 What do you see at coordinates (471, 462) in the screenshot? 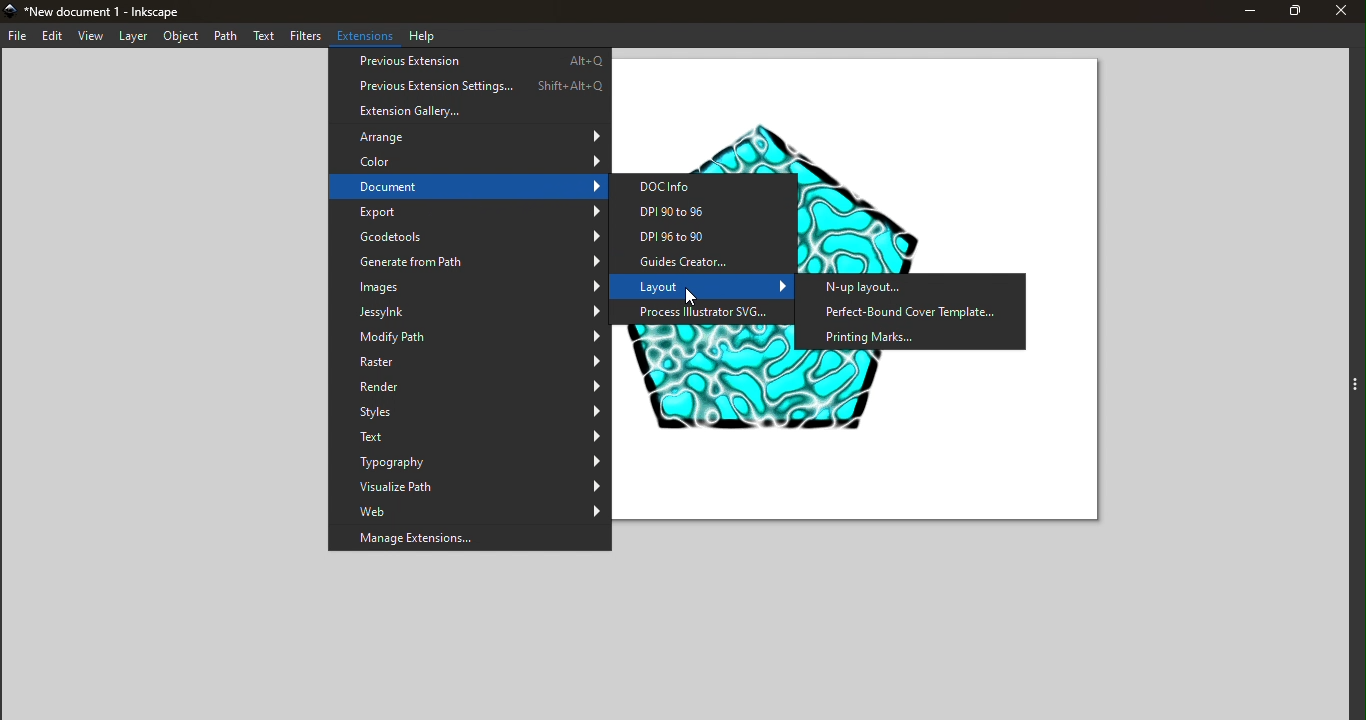
I see `Typography` at bounding box center [471, 462].